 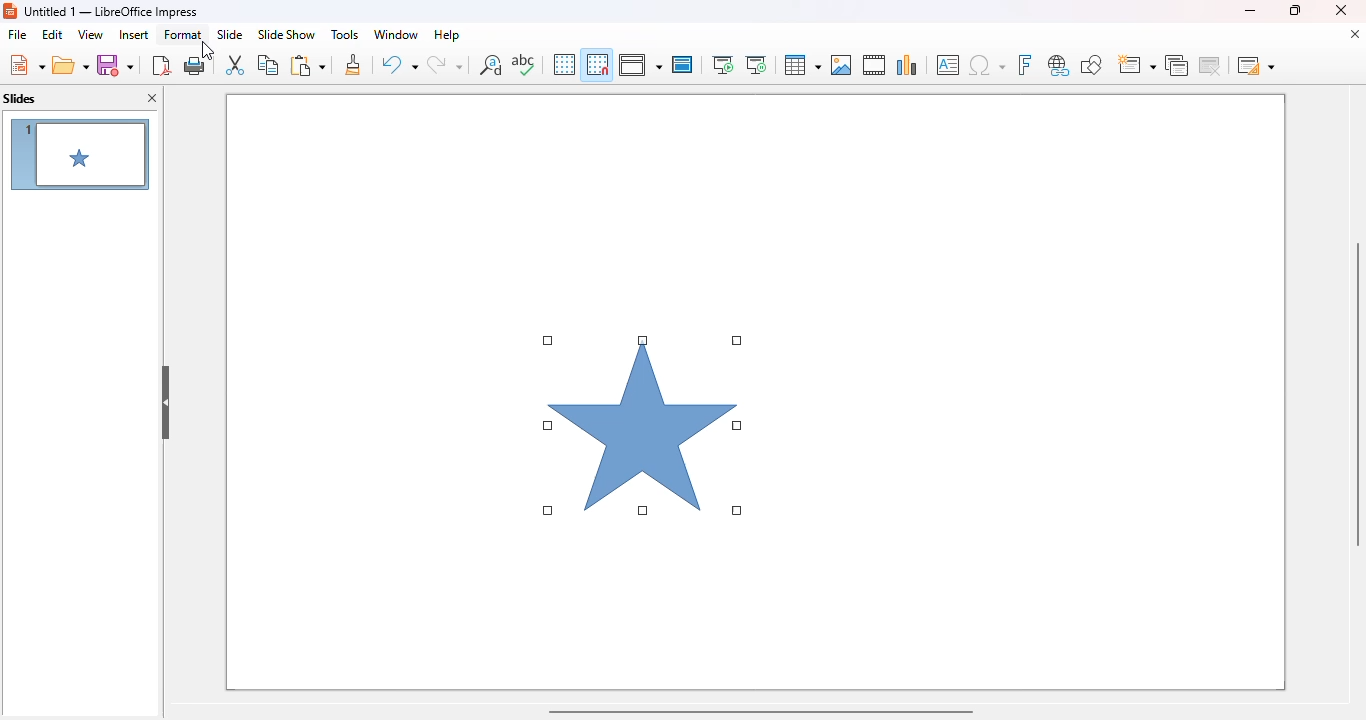 What do you see at coordinates (166, 403) in the screenshot?
I see `hide` at bounding box center [166, 403].